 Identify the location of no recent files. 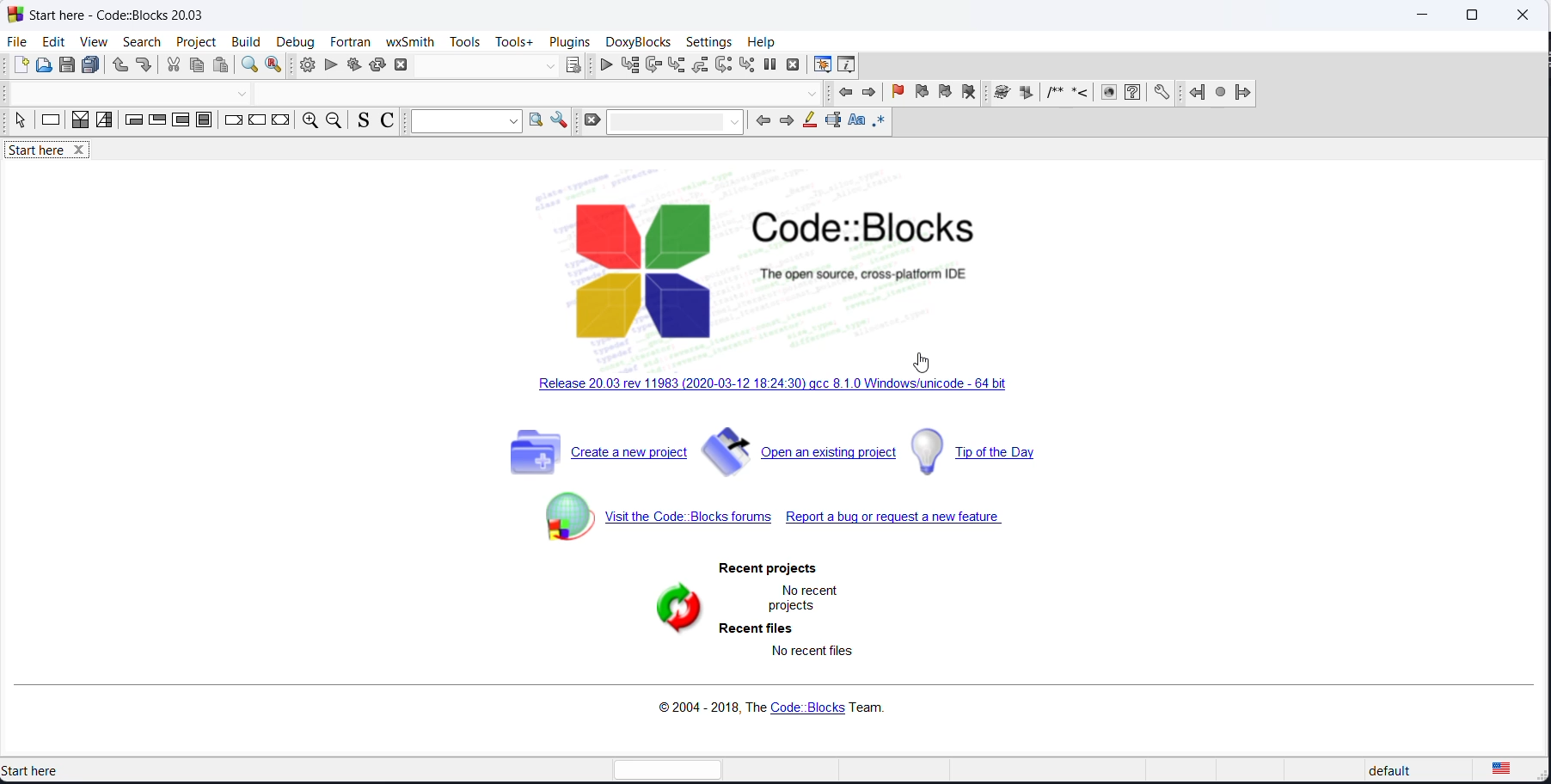
(817, 651).